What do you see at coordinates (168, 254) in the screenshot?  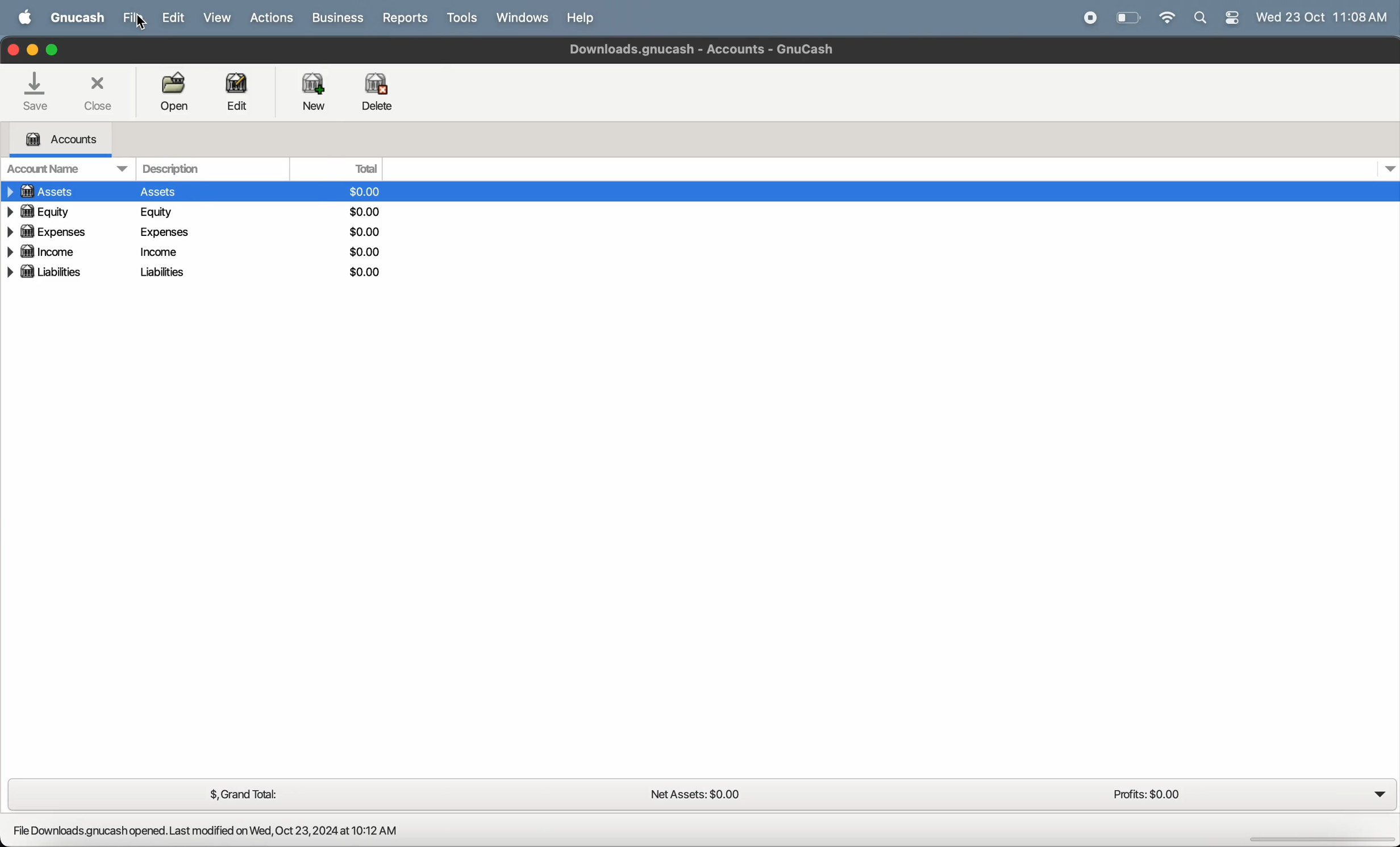 I see `income` at bounding box center [168, 254].